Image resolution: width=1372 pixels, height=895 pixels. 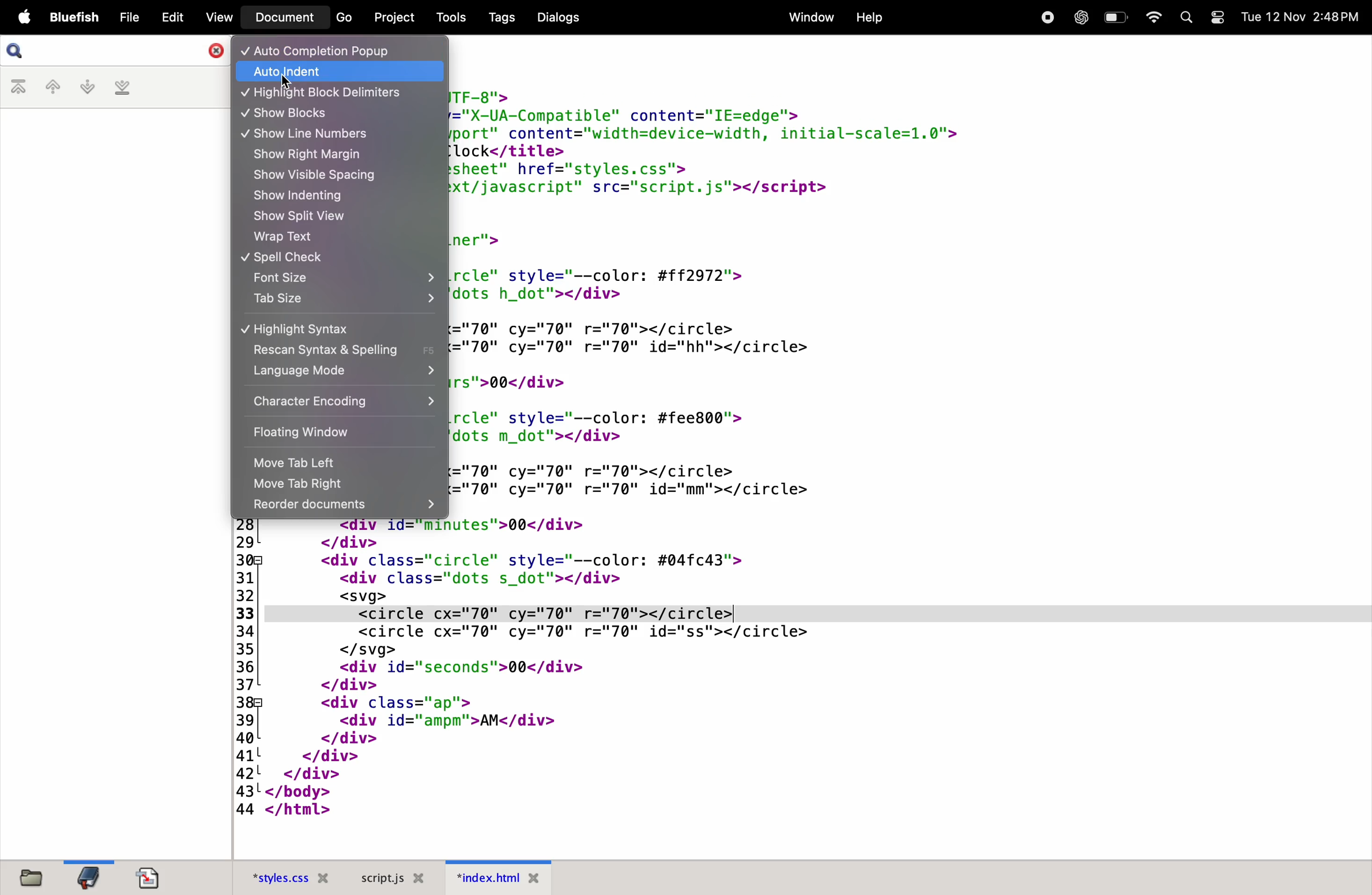 I want to click on tags, so click(x=497, y=17).